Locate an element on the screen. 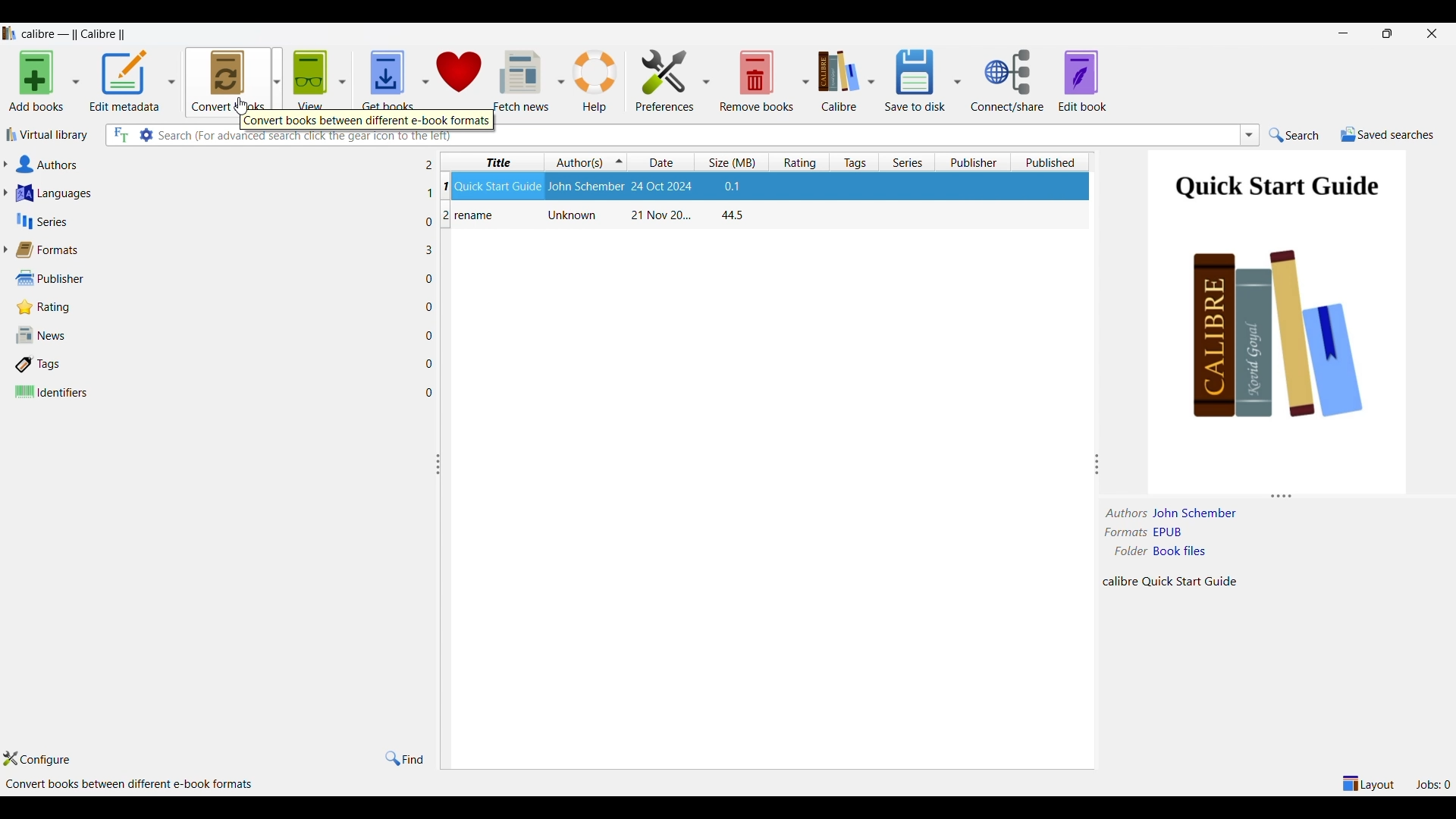  Fetch news is located at coordinates (521, 80).